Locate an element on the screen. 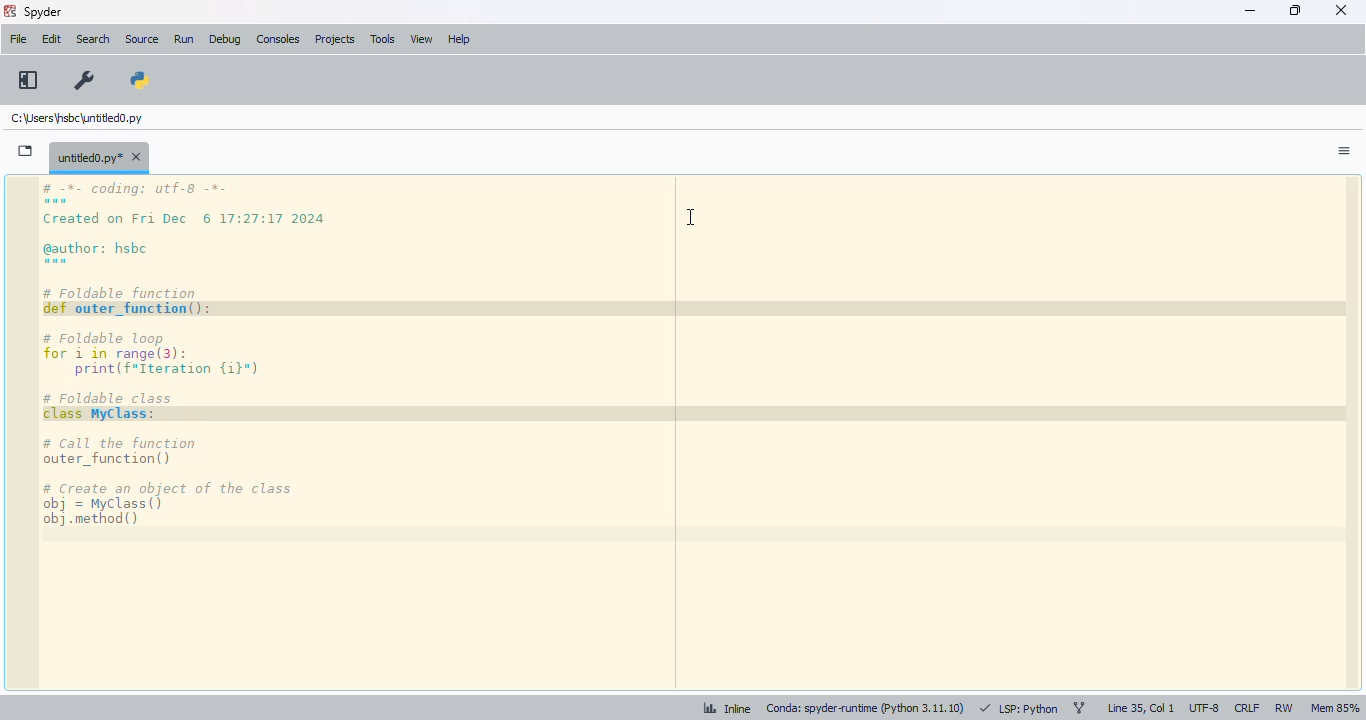 Image resolution: width=1366 pixels, height=720 pixels. LSP: python is located at coordinates (1019, 709).